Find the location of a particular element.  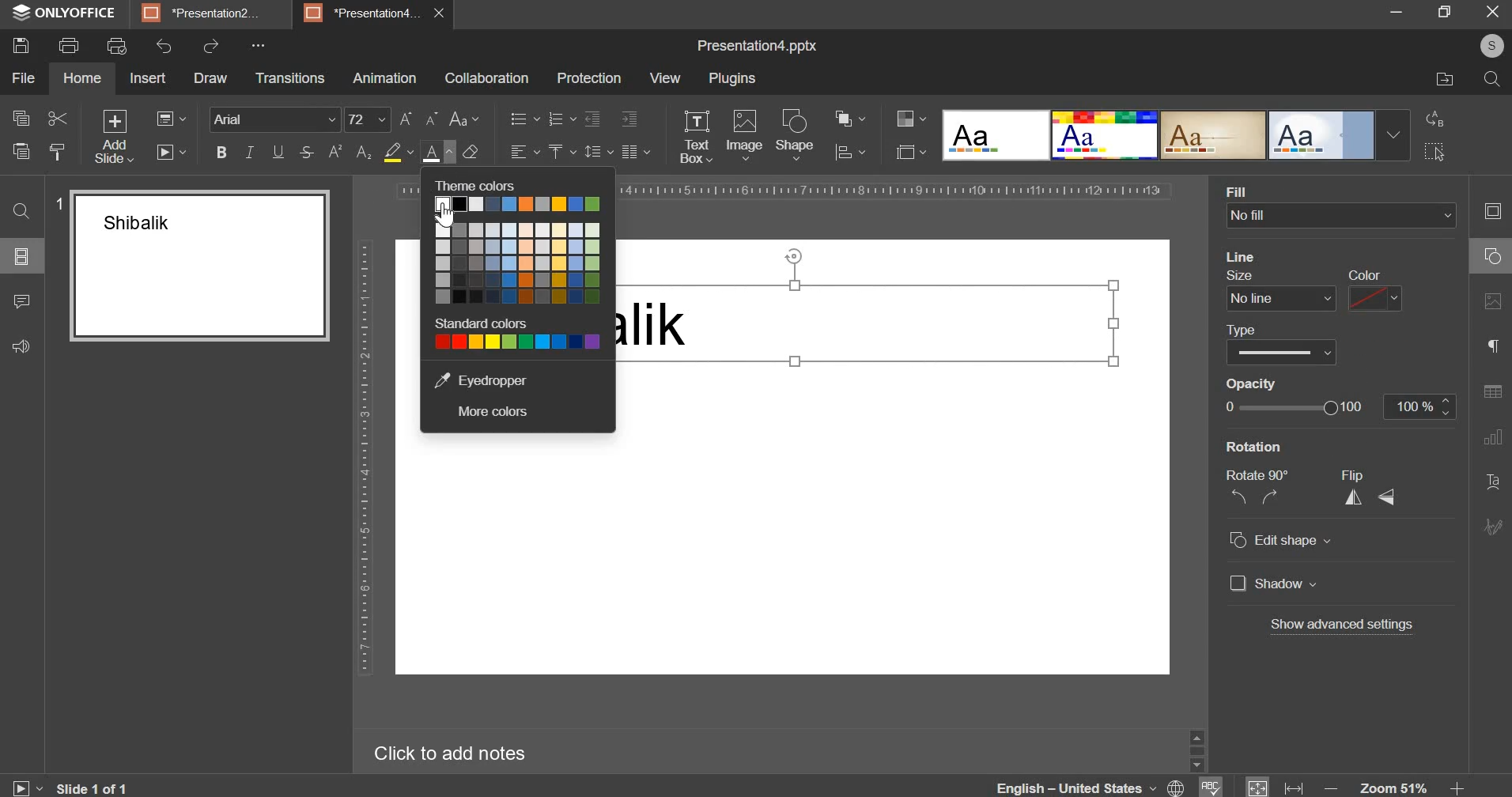

horizontal scale is located at coordinates (894, 190).